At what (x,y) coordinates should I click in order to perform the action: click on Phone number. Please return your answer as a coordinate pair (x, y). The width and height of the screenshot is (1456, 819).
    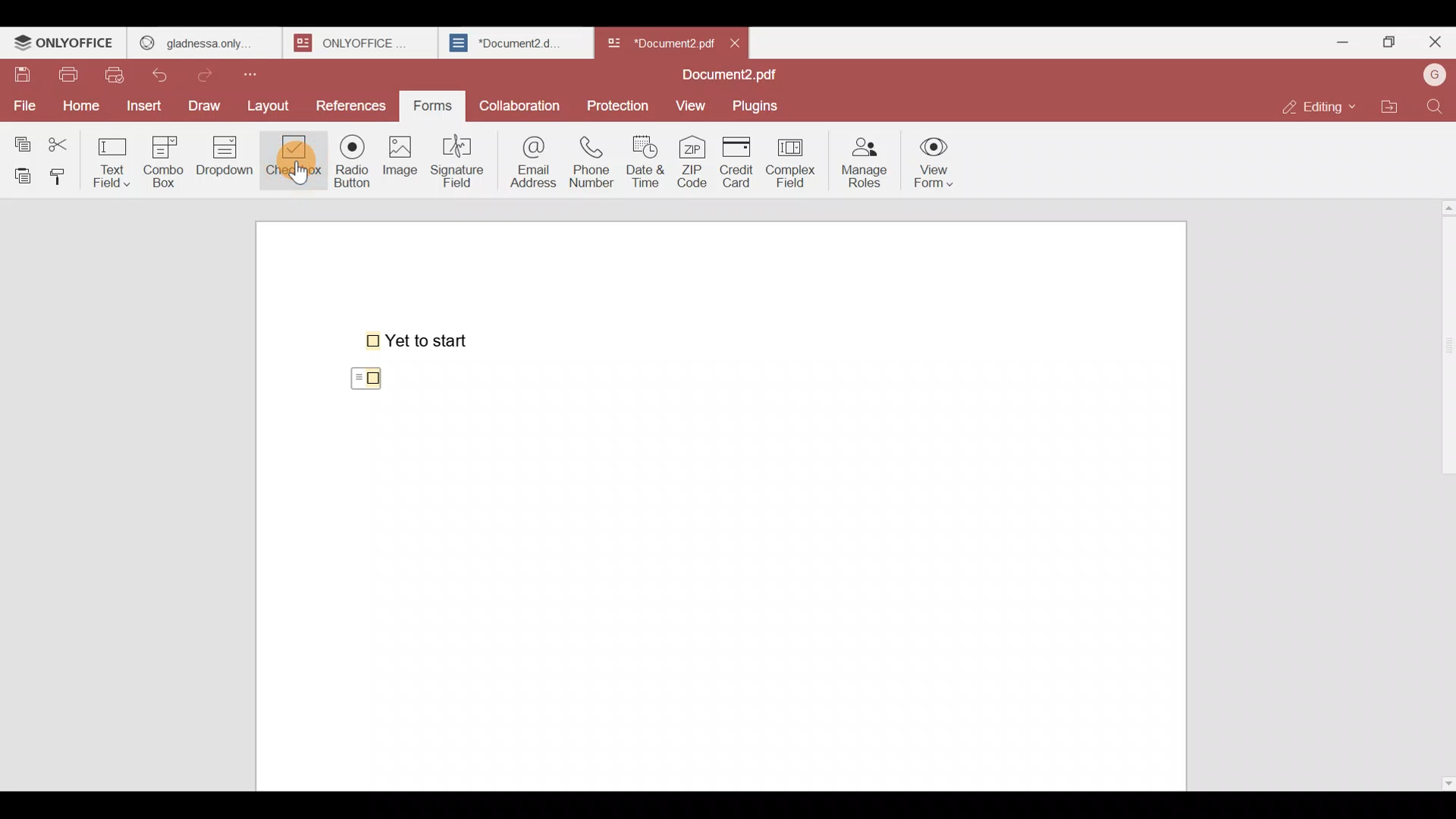
    Looking at the image, I should click on (593, 162).